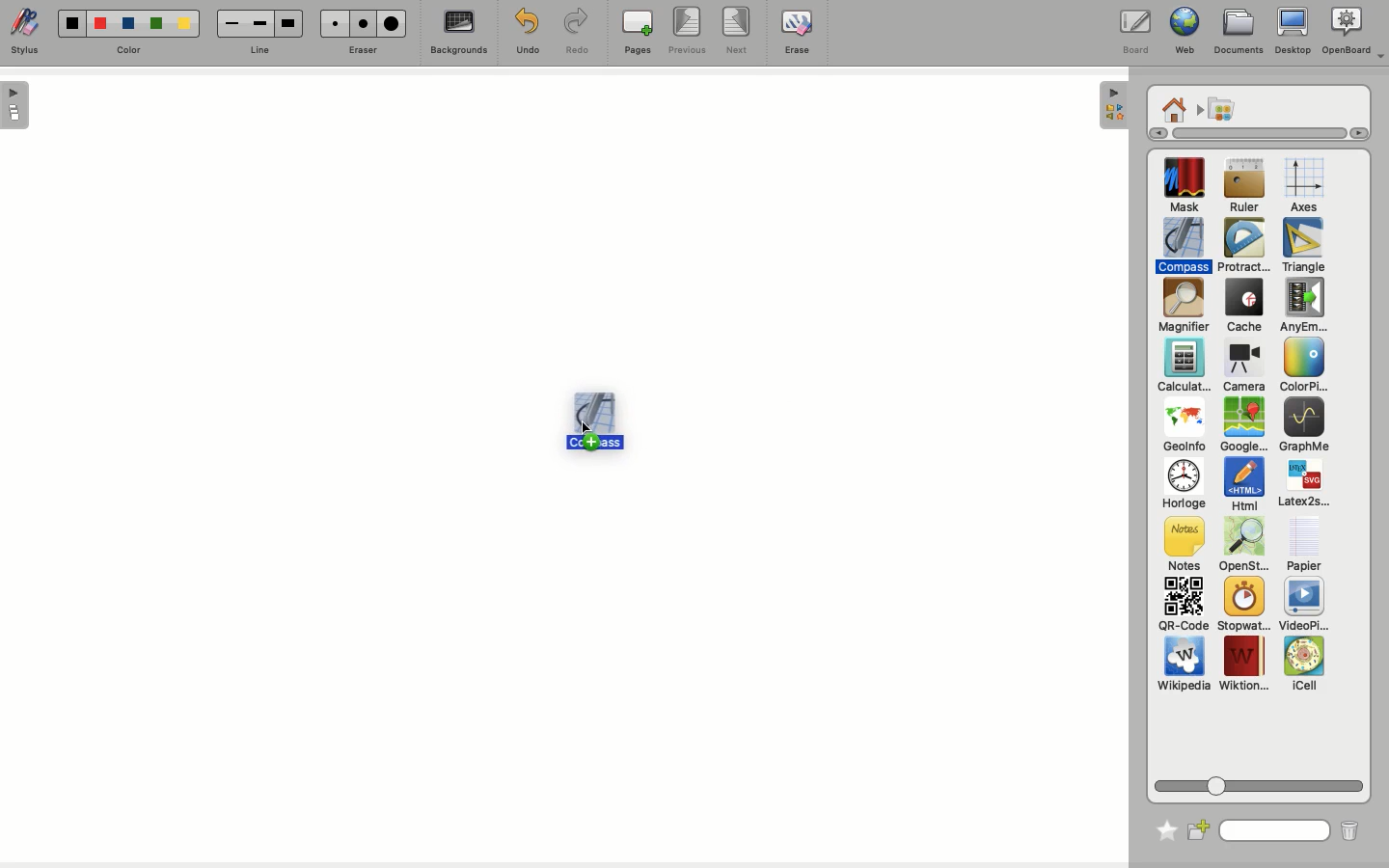 The height and width of the screenshot is (868, 1389). What do you see at coordinates (69, 21) in the screenshot?
I see `color1` at bounding box center [69, 21].